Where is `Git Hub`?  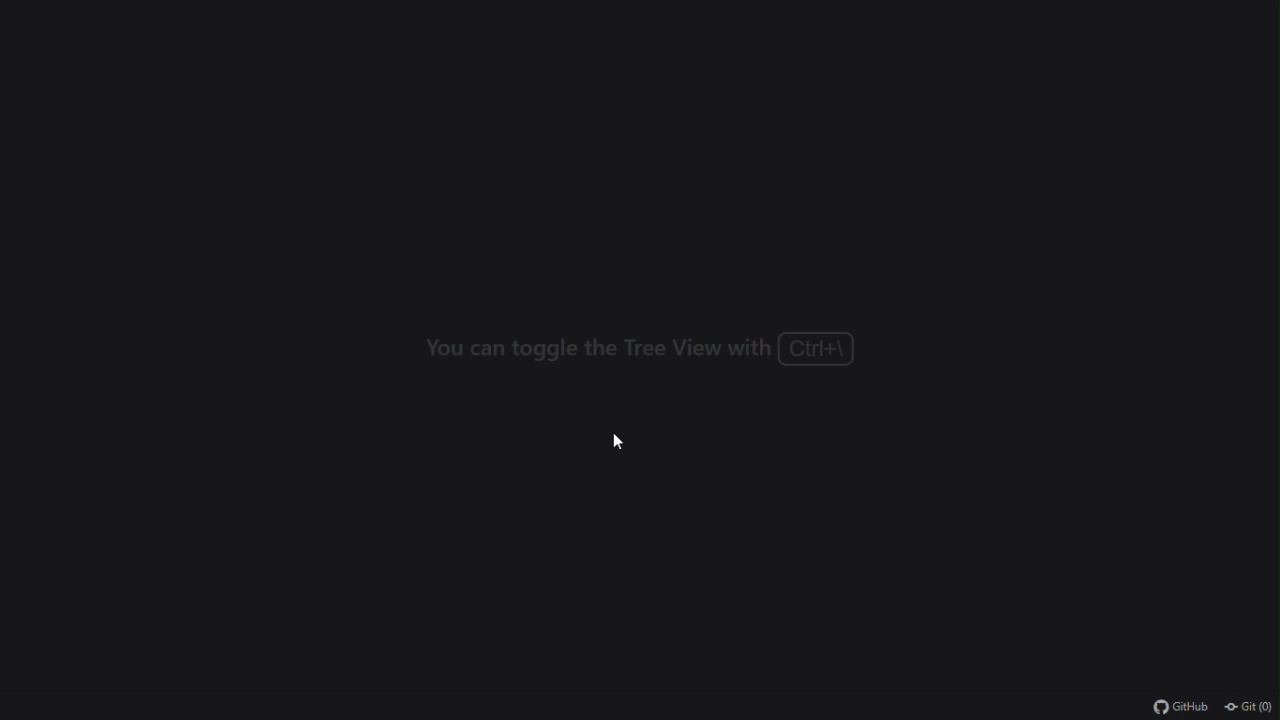
Git Hub is located at coordinates (1171, 708).